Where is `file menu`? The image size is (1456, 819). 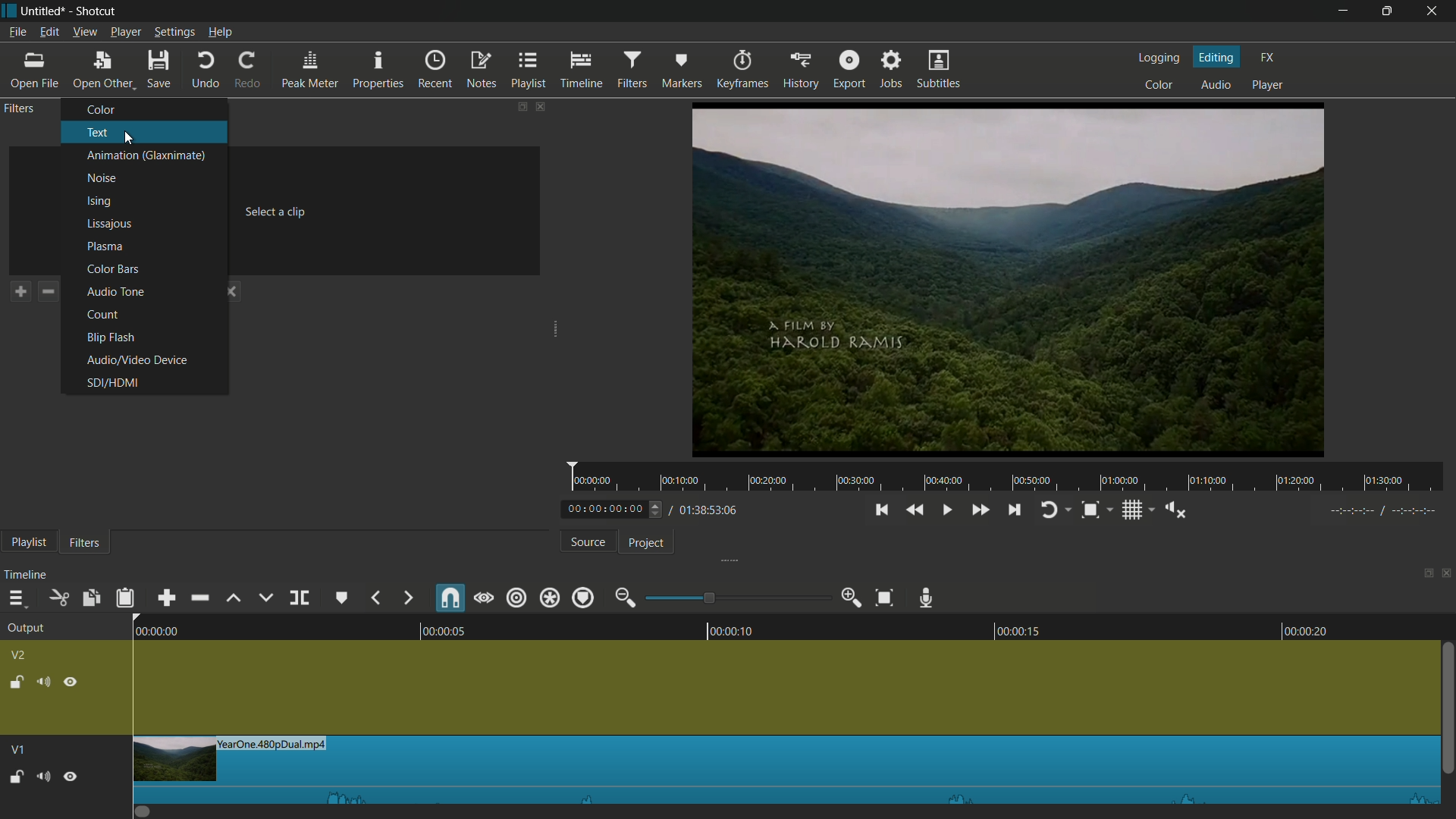 file menu is located at coordinates (17, 33).